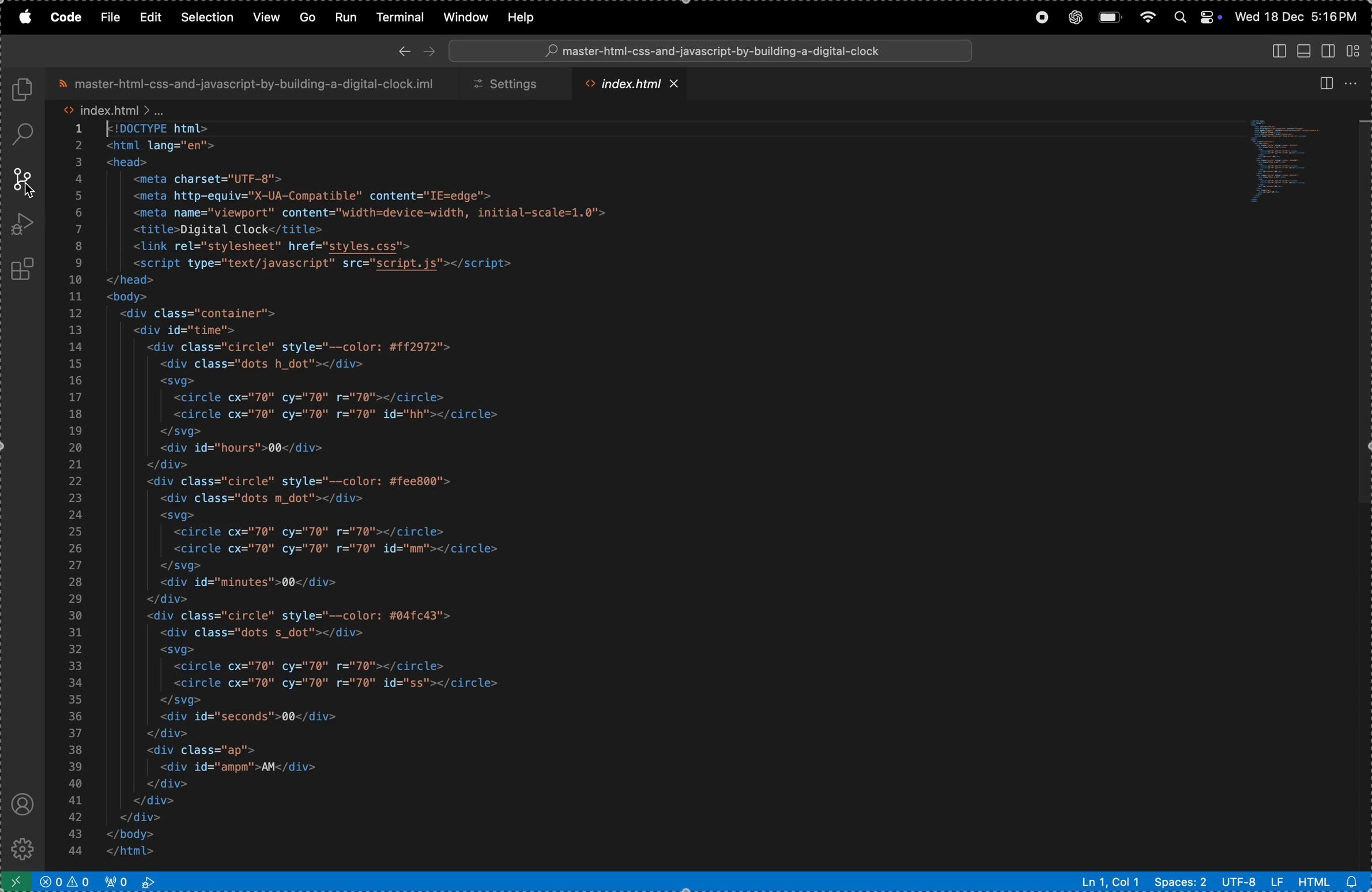 This screenshot has height=892, width=1372. I want to click on <svg>, so click(177, 381).